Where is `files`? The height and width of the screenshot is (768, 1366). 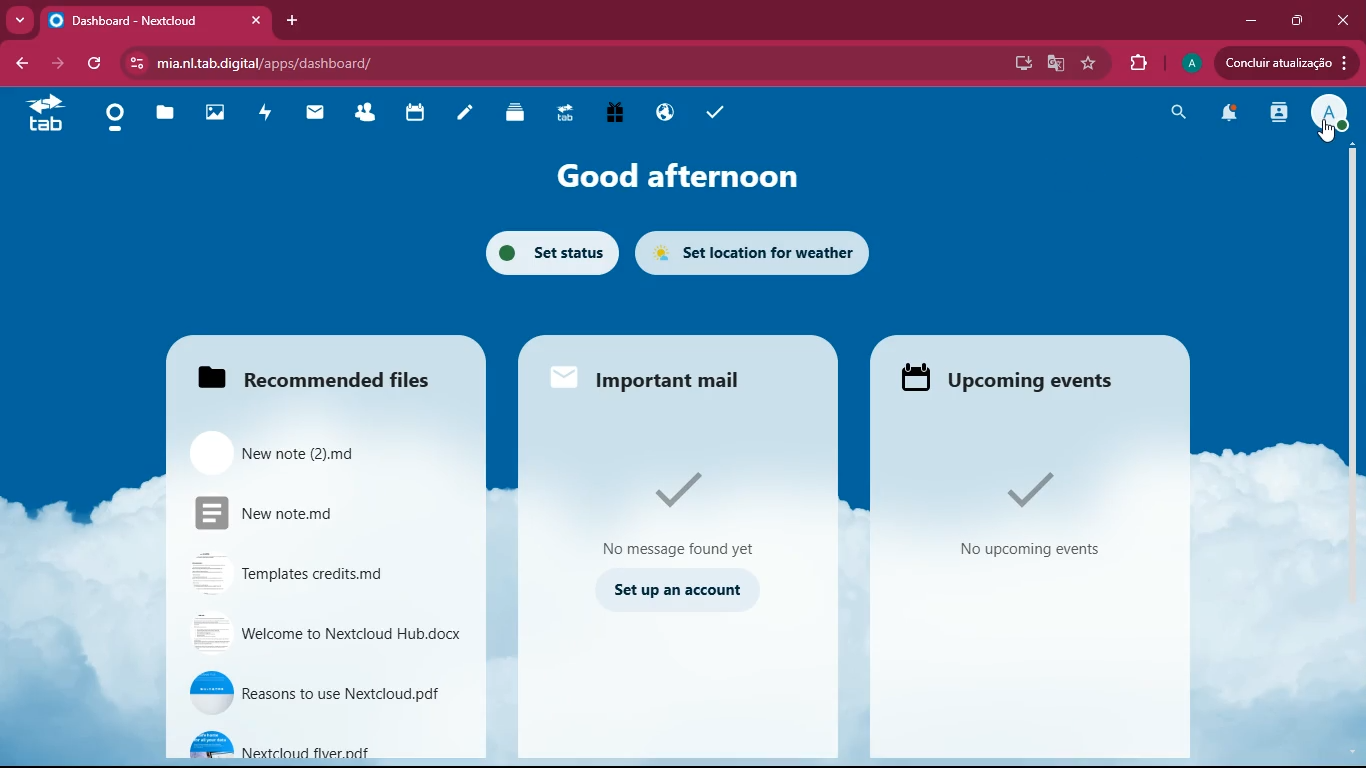 files is located at coordinates (163, 115).